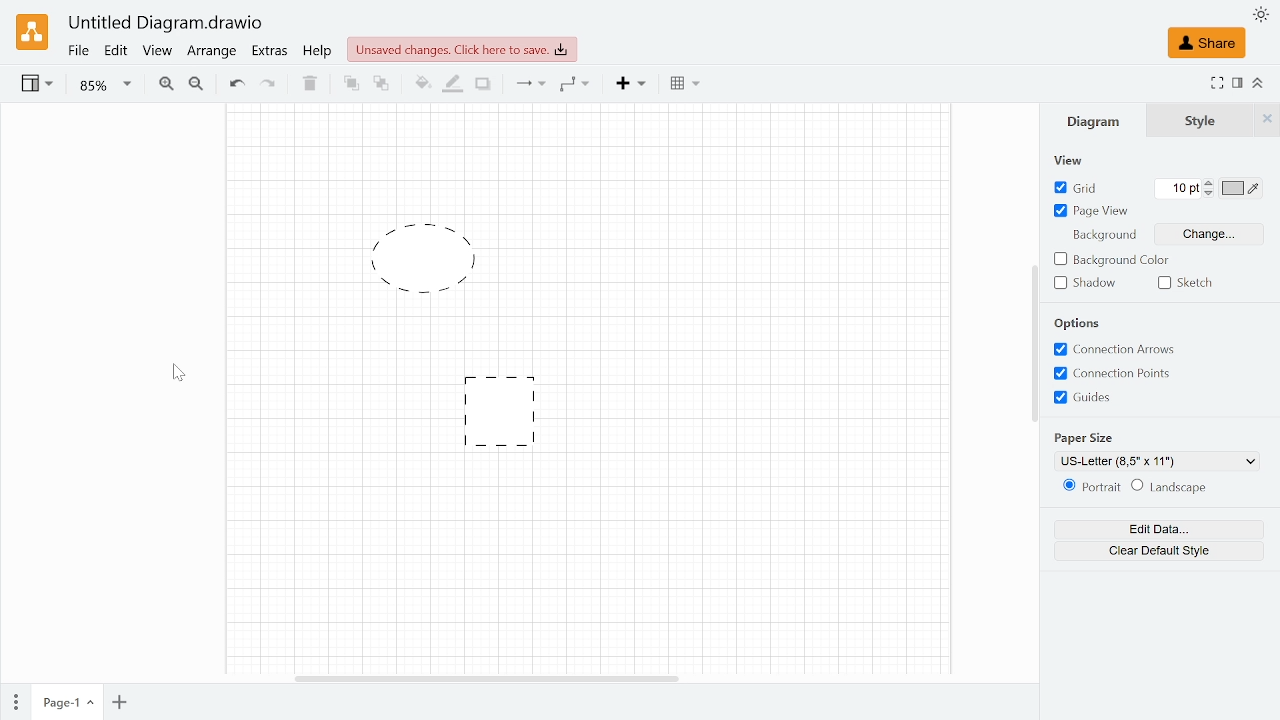 This screenshot has height=720, width=1280. Describe the element at coordinates (1078, 323) in the screenshot. I see `Options` at that location.